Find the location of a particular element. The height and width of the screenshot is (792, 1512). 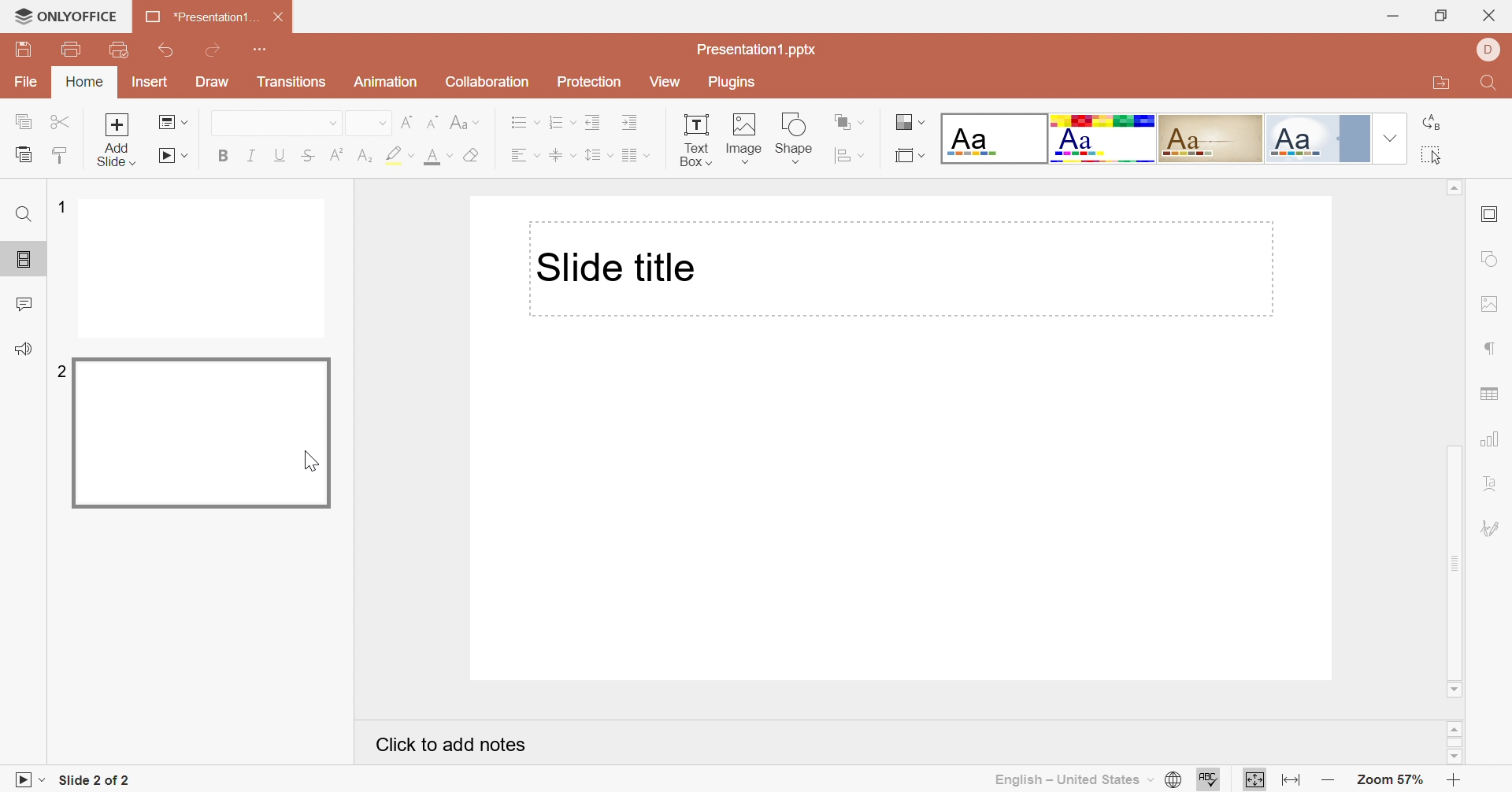

Presentation1... is located at coordinates (202, 17).